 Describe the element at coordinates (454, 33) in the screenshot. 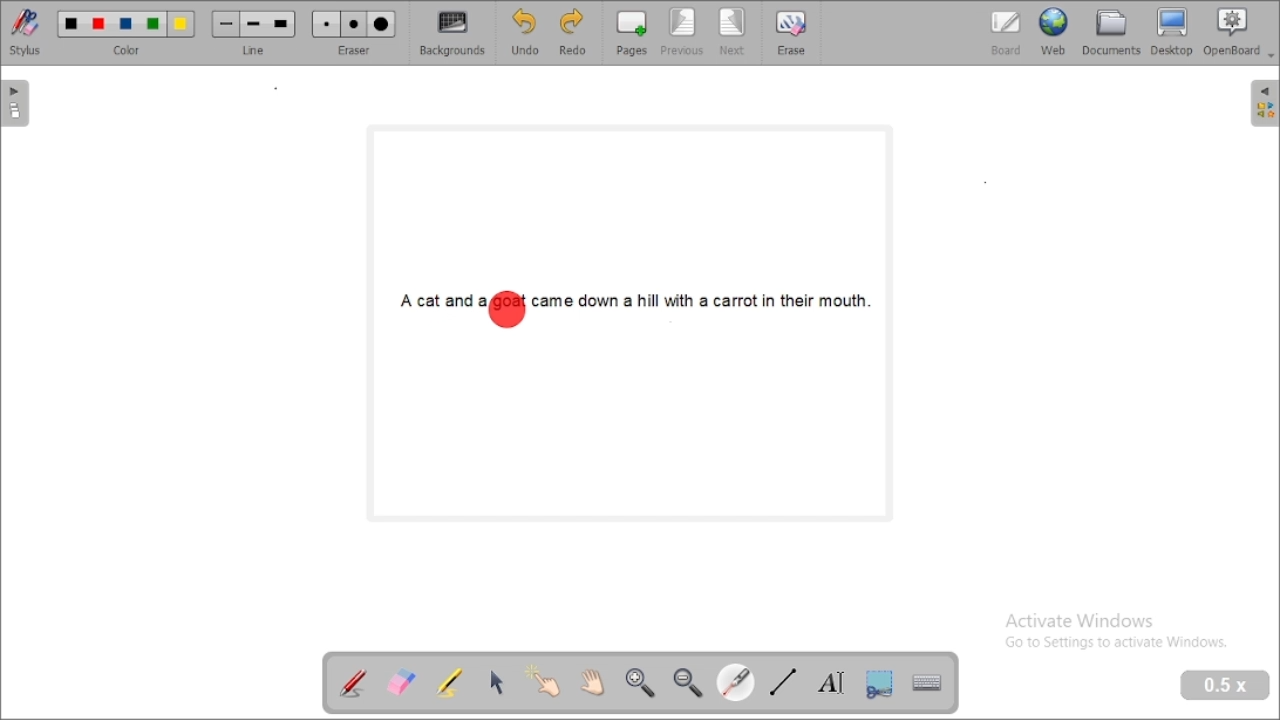

I see `backgrounds` at that location.